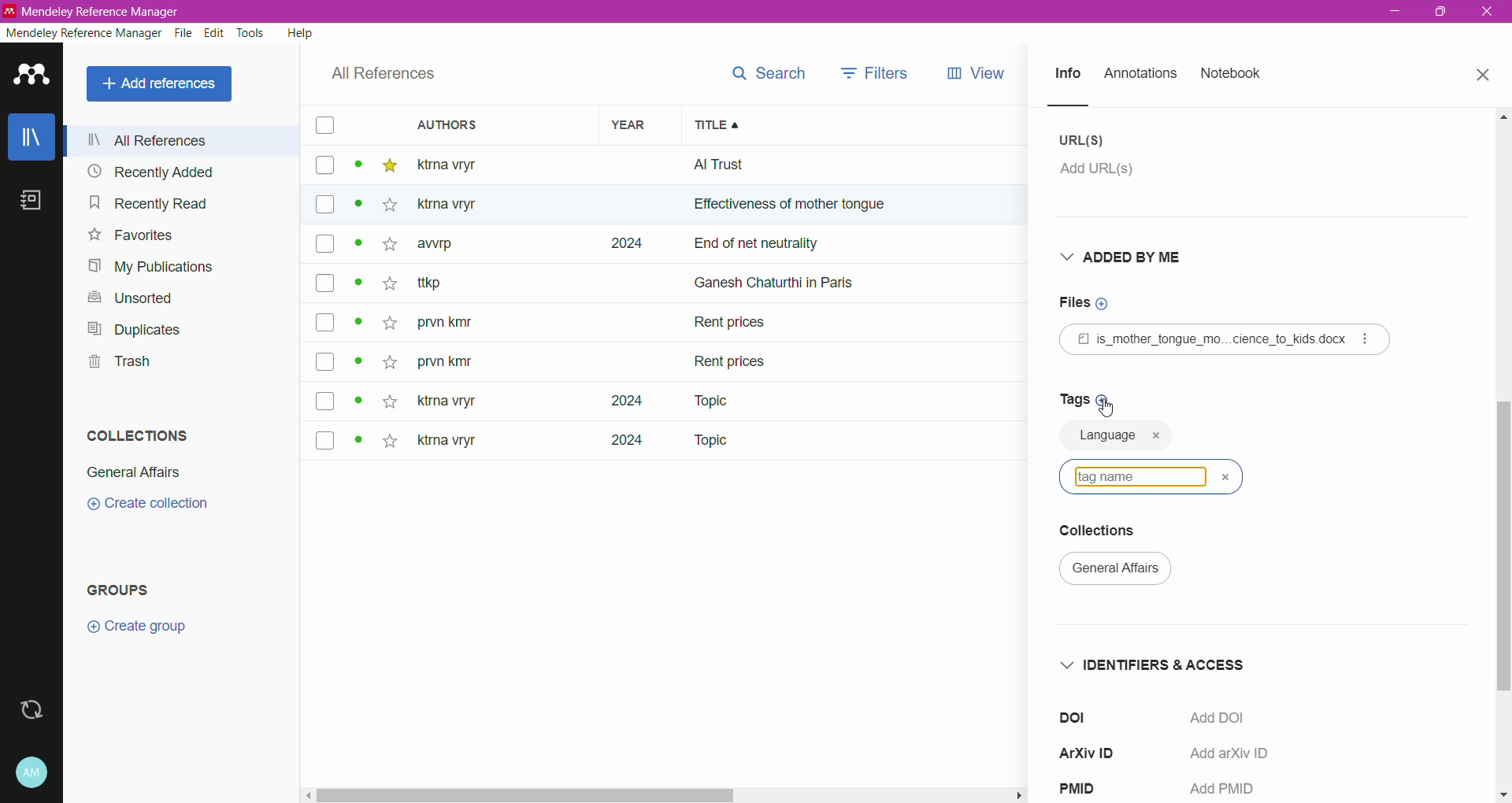  I want to click on Topic, so click(700, 401).